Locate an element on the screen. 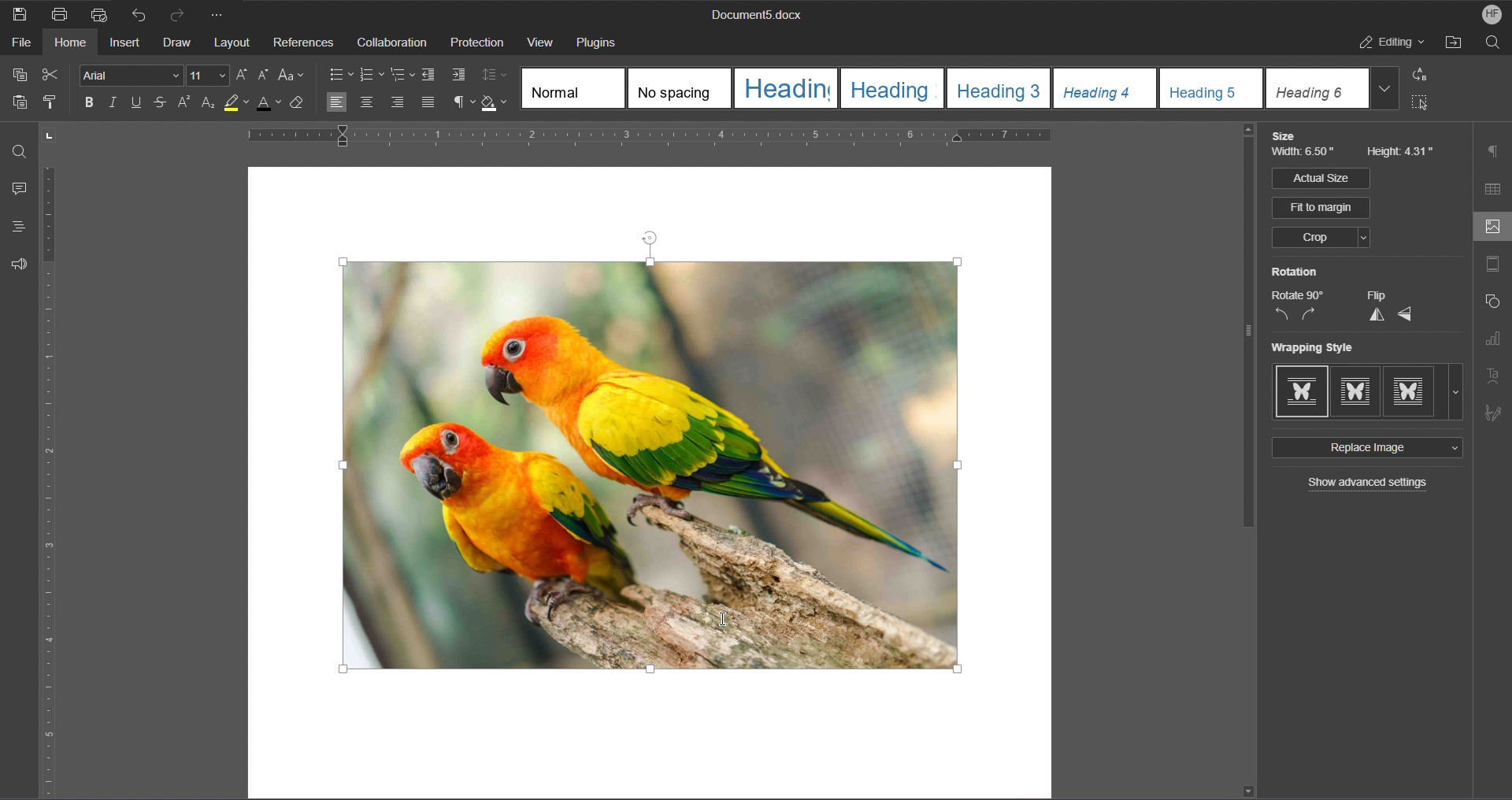  Plugins is located at coordinates (602, 41).